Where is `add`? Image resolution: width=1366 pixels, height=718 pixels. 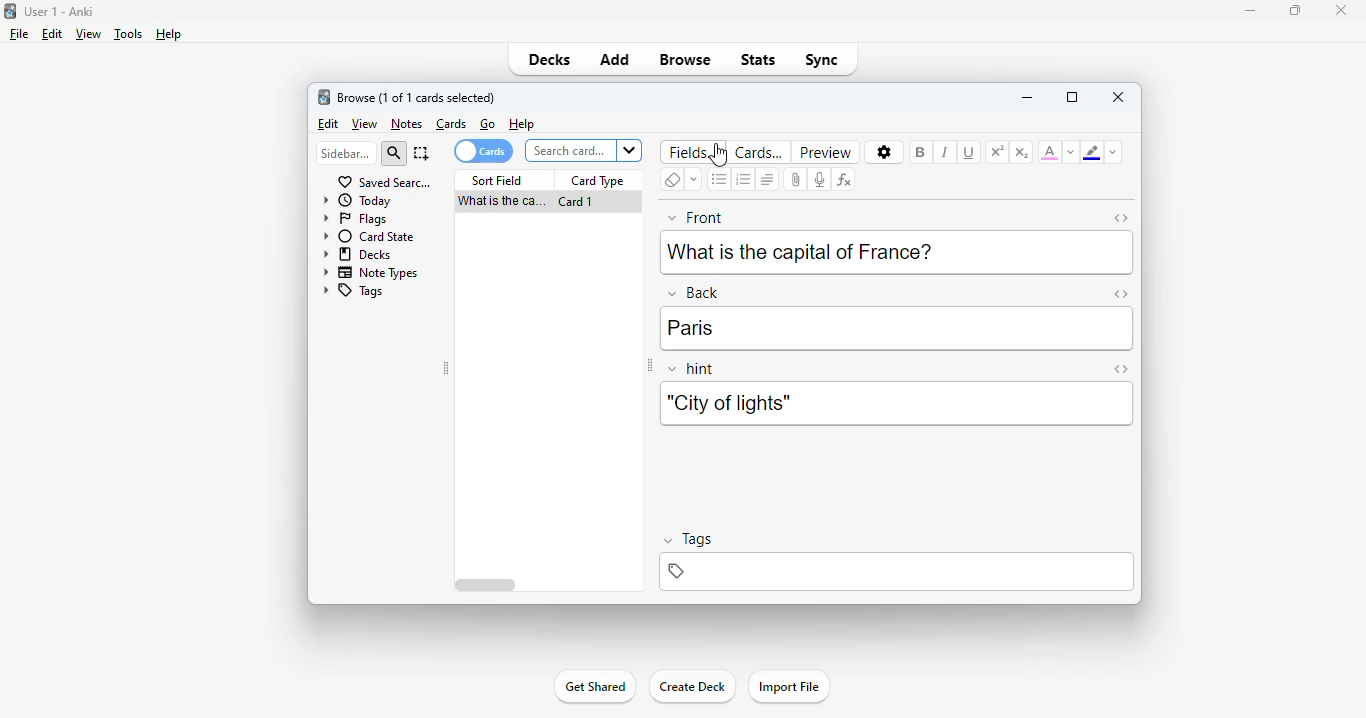 add is located at coordinates (615, 58).